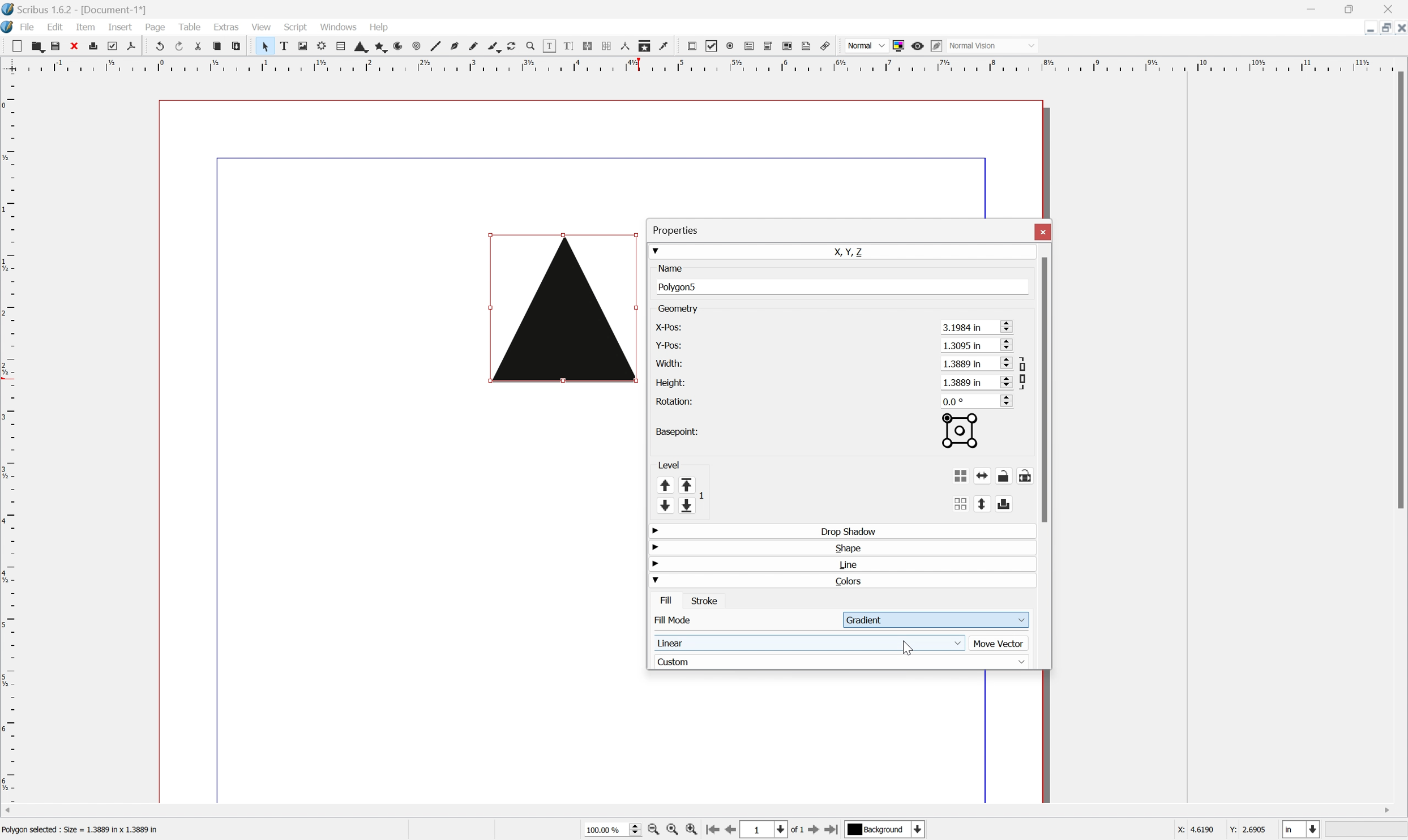  What do you see at coordinates (973, 432) in the screenshot?
I see `Basepoint` at bounding box center [973, 432].